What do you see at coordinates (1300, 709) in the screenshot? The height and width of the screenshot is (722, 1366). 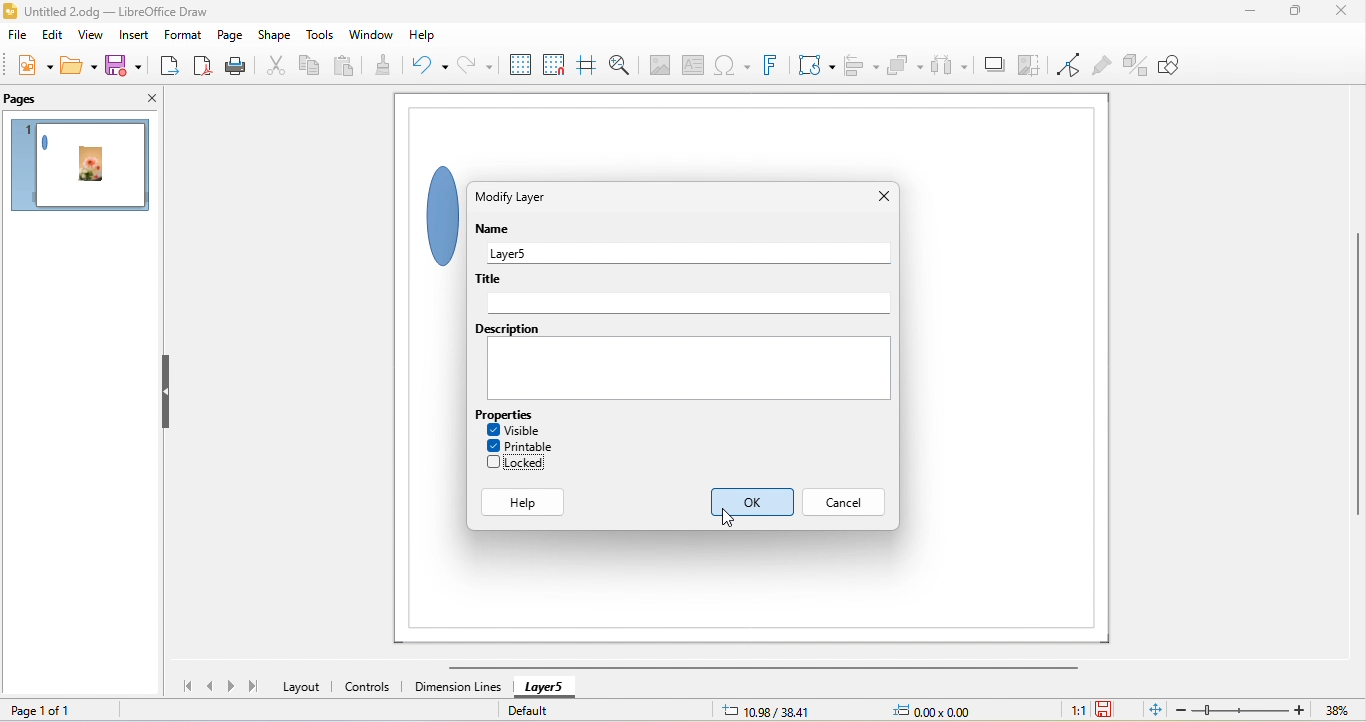 I see `zoom in` at bounding box center [1300, 709].